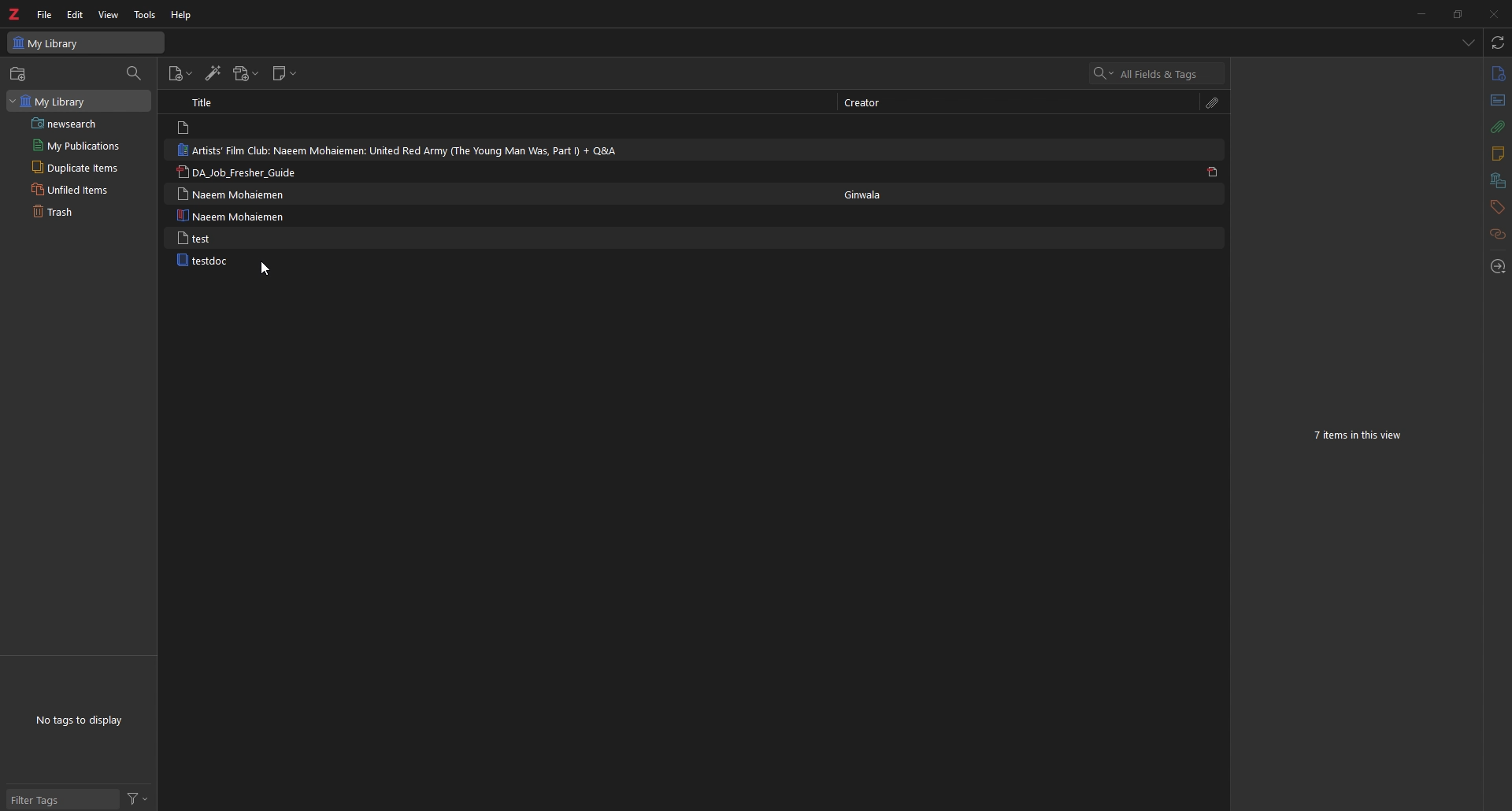 The image size is (1512, 811). What do you see at coordinates (145, 16) in the screenshot?
I see `tools` at bounding box center [145, 16].